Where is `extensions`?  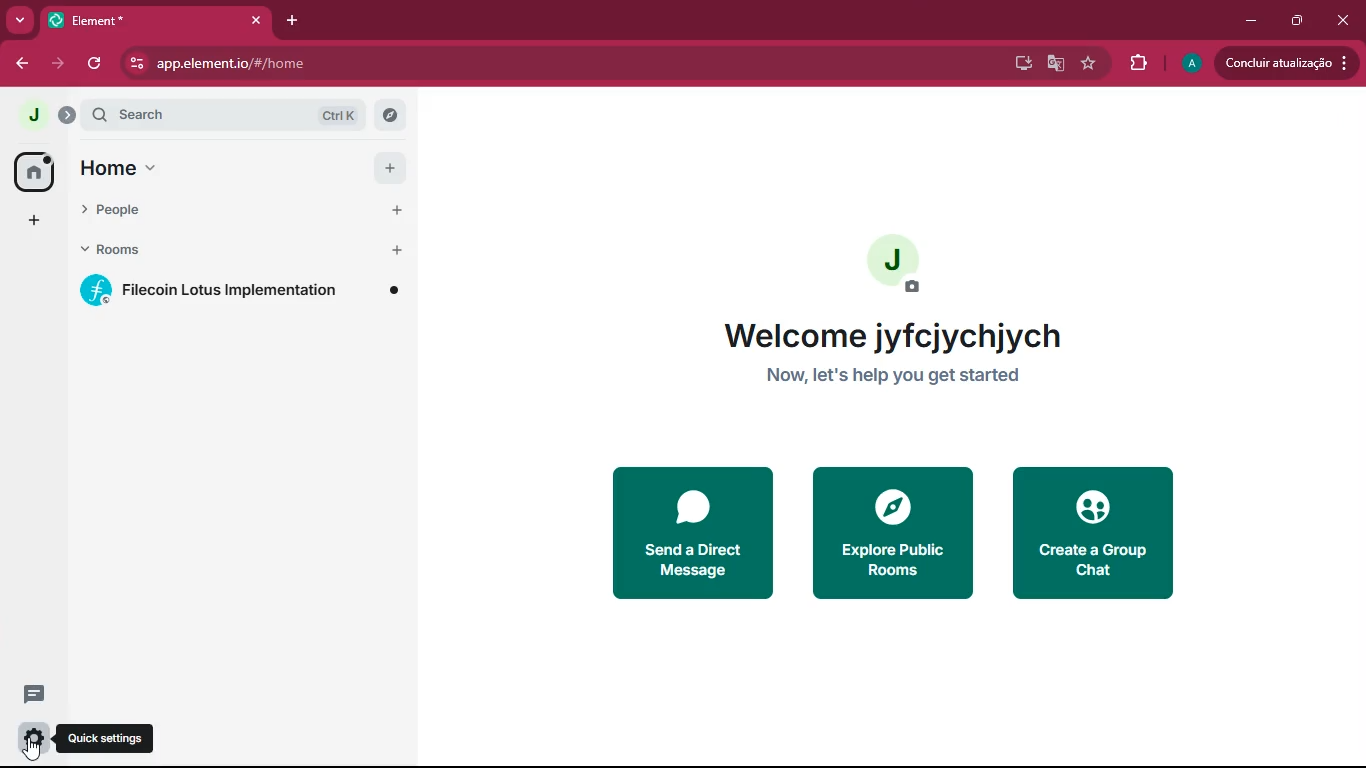 extensions is located at coordinates (1138, 63).